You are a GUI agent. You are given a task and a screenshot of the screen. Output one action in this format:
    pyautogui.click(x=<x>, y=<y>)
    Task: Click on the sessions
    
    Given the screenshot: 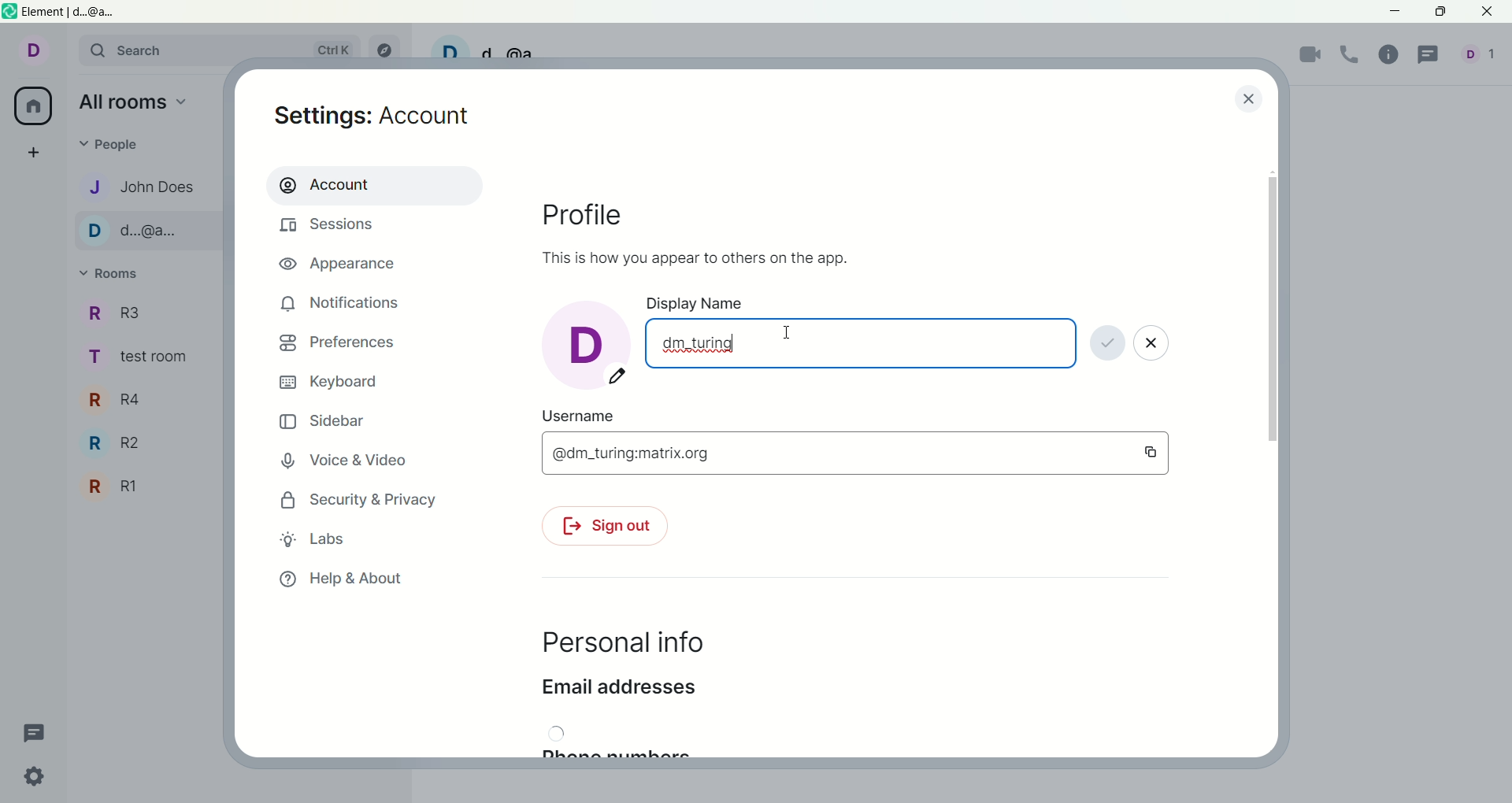 What is the action you would take?
    pyautogui.click(x=332, y=228)
    